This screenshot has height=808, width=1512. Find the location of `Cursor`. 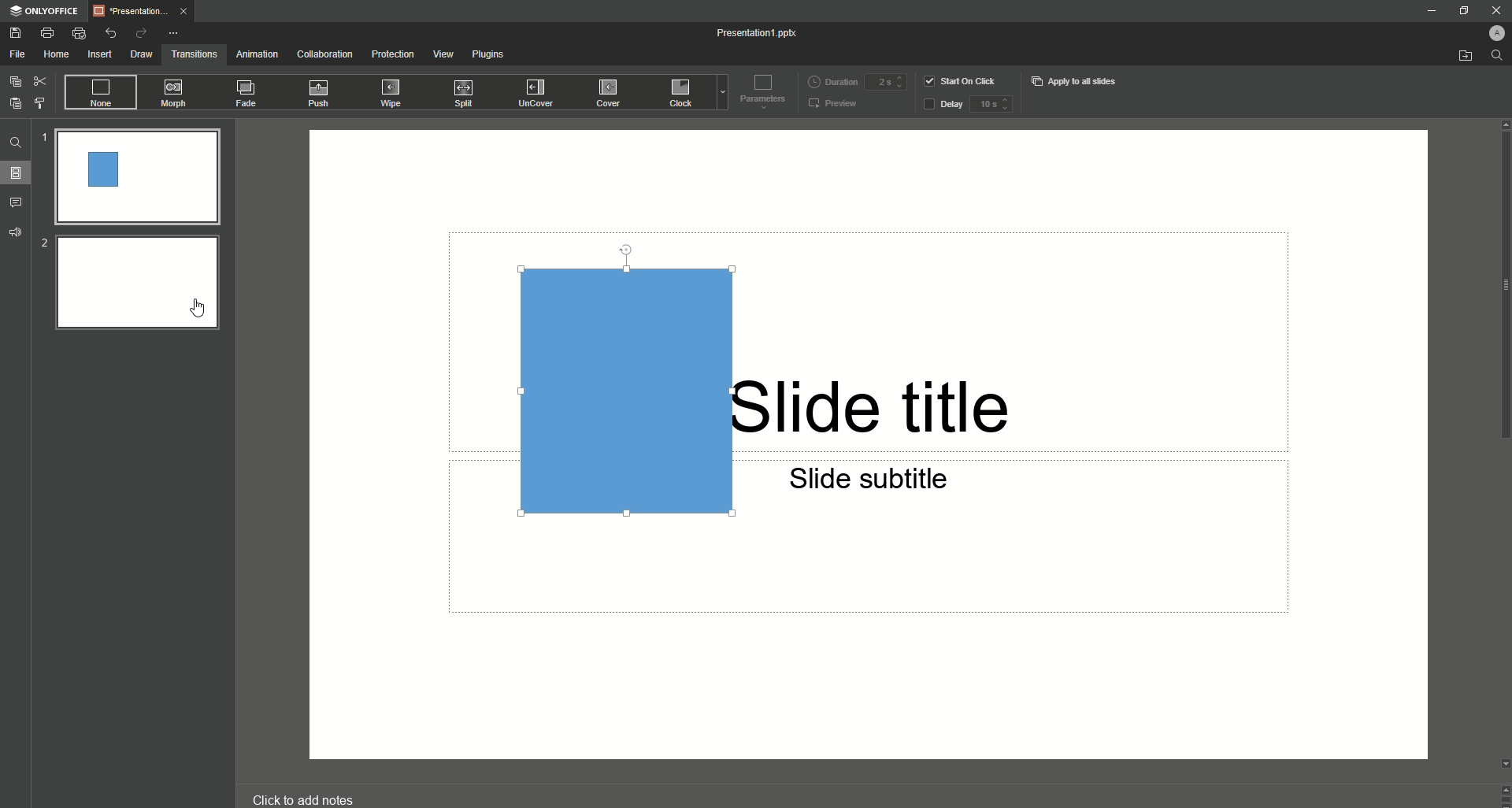

Cursor is located at coordinates (198, 309).